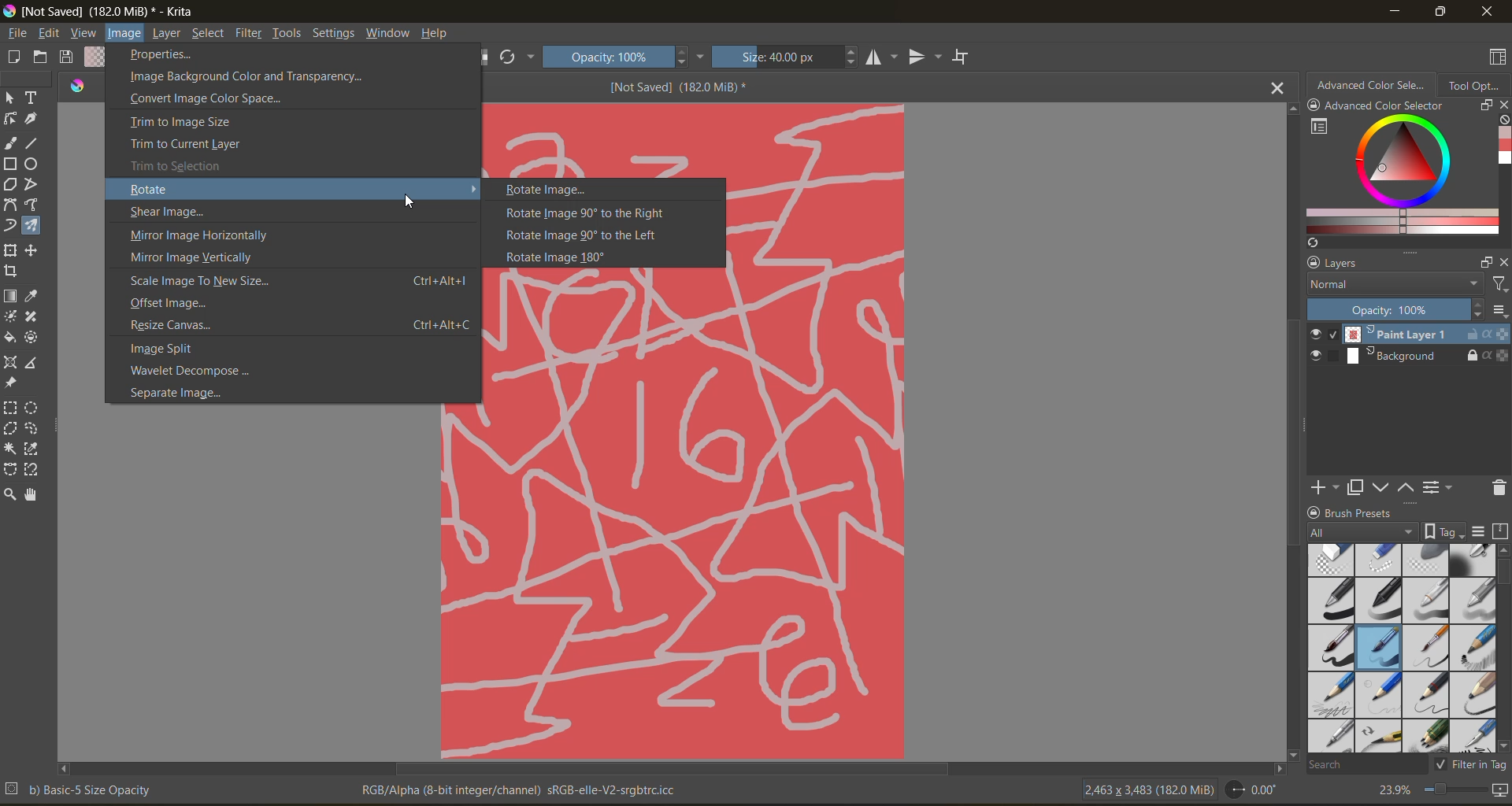 The width and height of the screenshot is (1512, 806). What do you see at coordinates (553, 190) in the screenshot?
I see `rotate image` at bounding box center [553, 190].